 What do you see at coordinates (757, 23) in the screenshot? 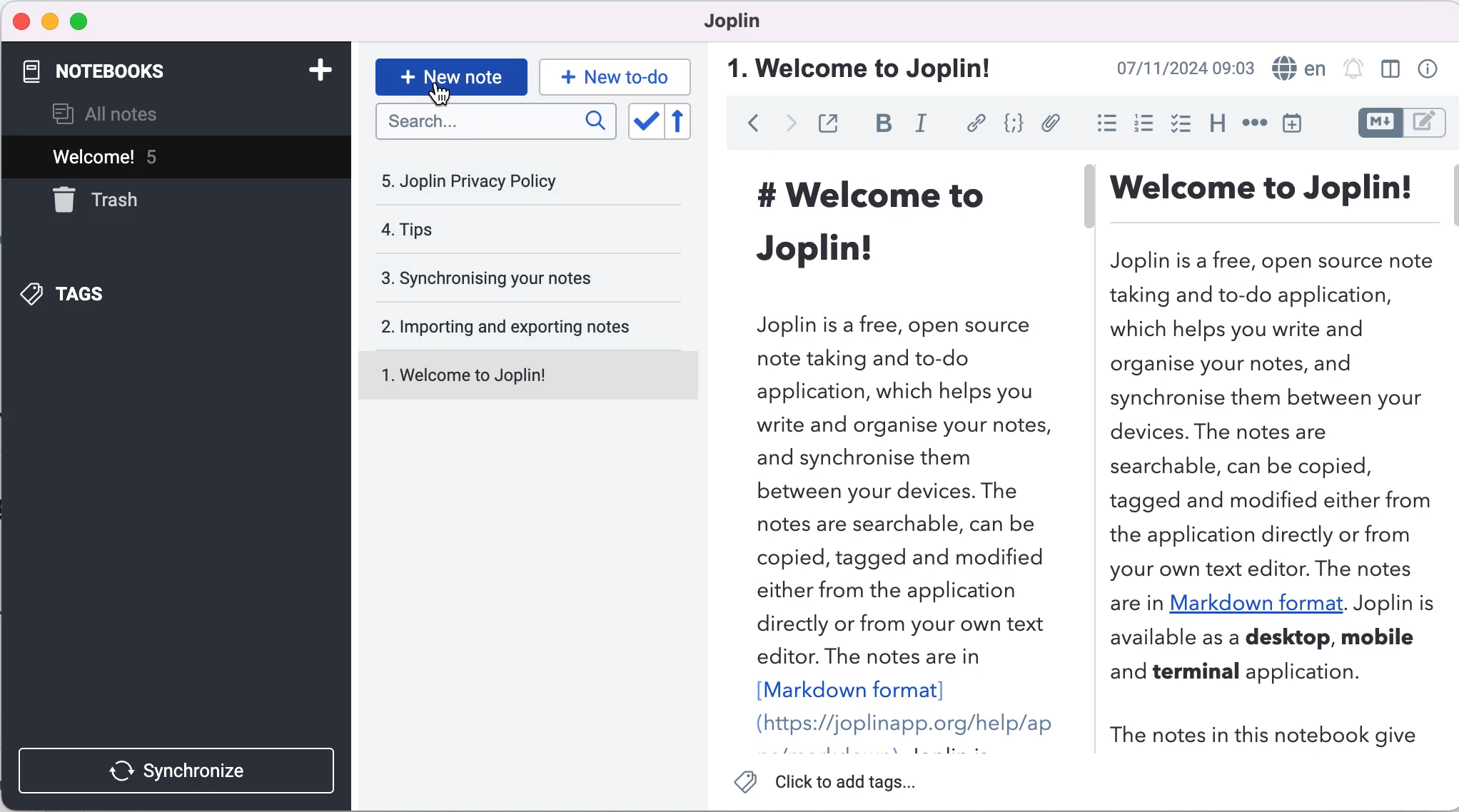
I see `joplin` at bounding box center [757, 23].